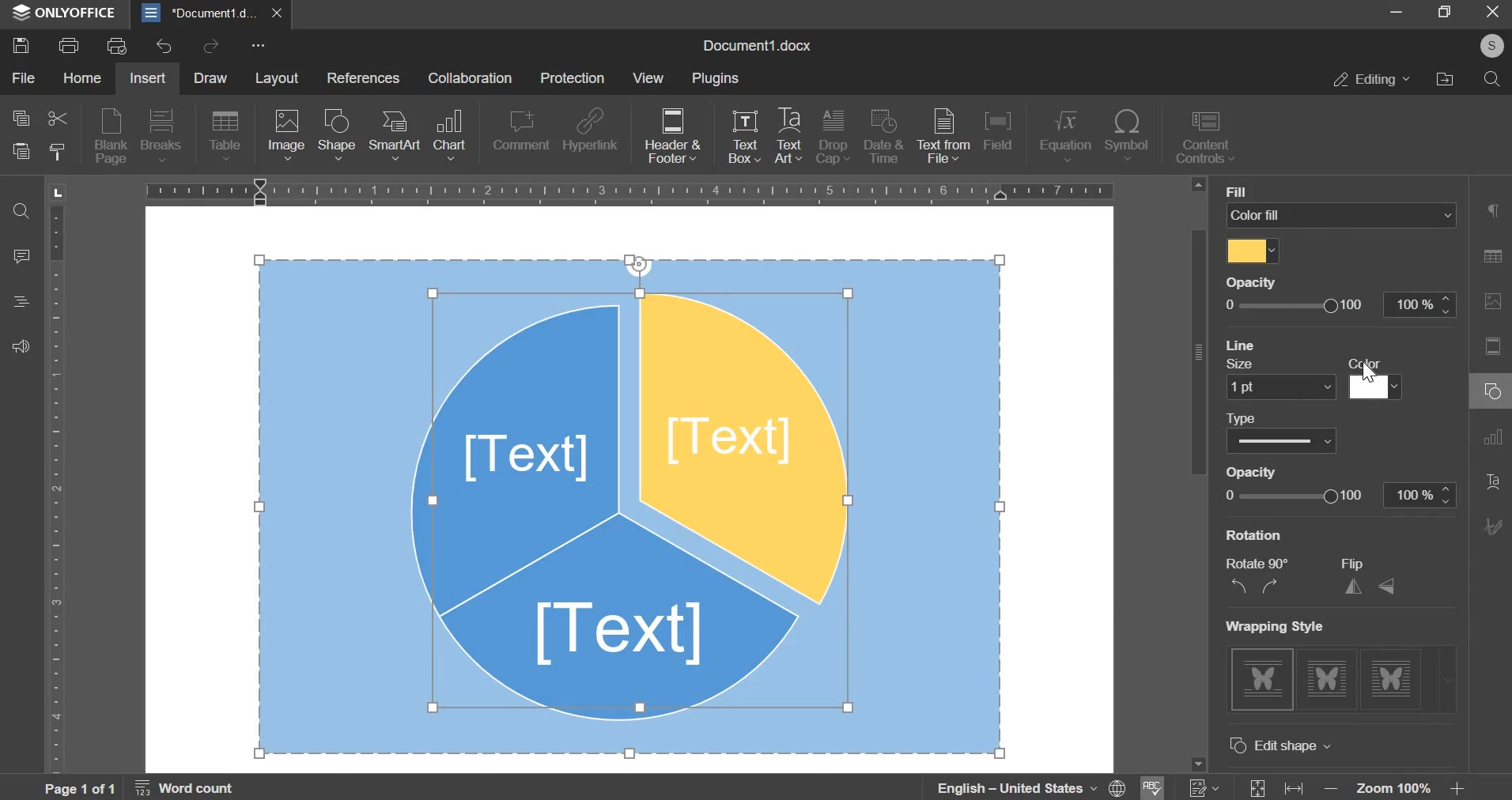 This screenshot has width=1512, height=800. Describe the element at coordinates (1263, 534) in the screenshot. I see `more colors` at that location.